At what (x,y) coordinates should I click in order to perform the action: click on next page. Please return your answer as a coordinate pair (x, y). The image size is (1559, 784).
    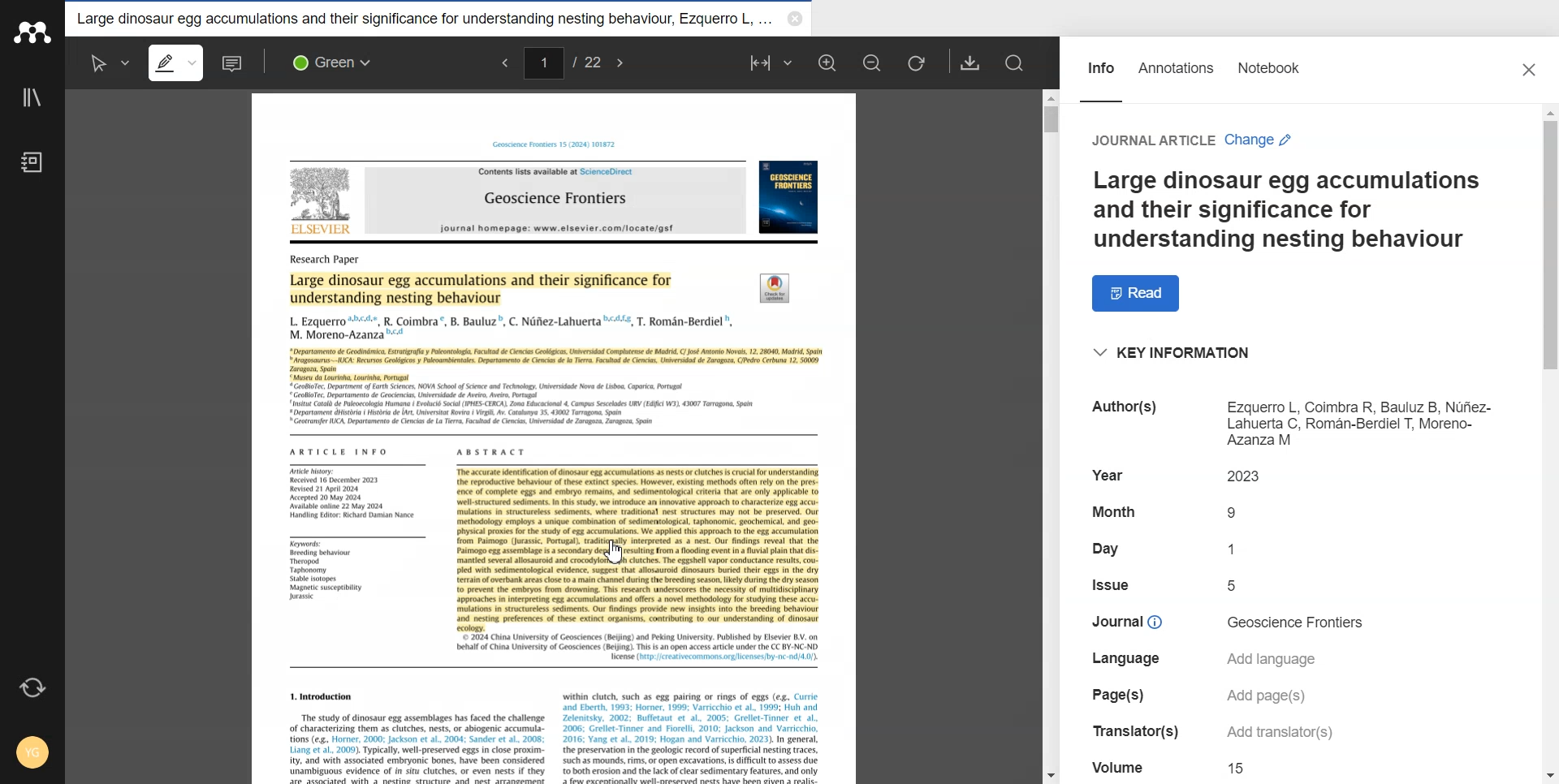
    Looking at the image, I should click on (622, 62).